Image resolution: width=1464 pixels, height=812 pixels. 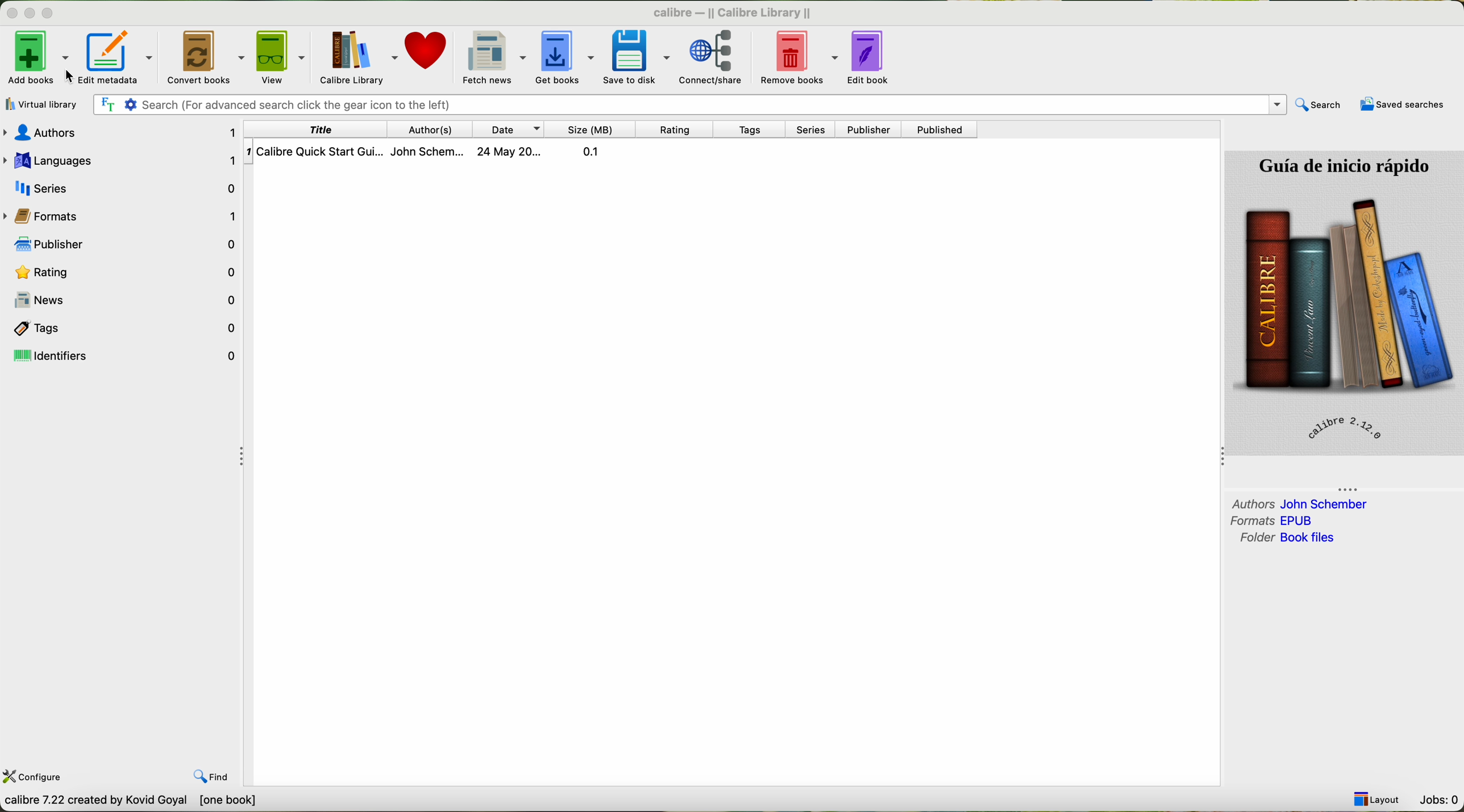 What do you see at coordinates (121, 189) in the screenshot?
I see `series` at bounding box center [121, 189].